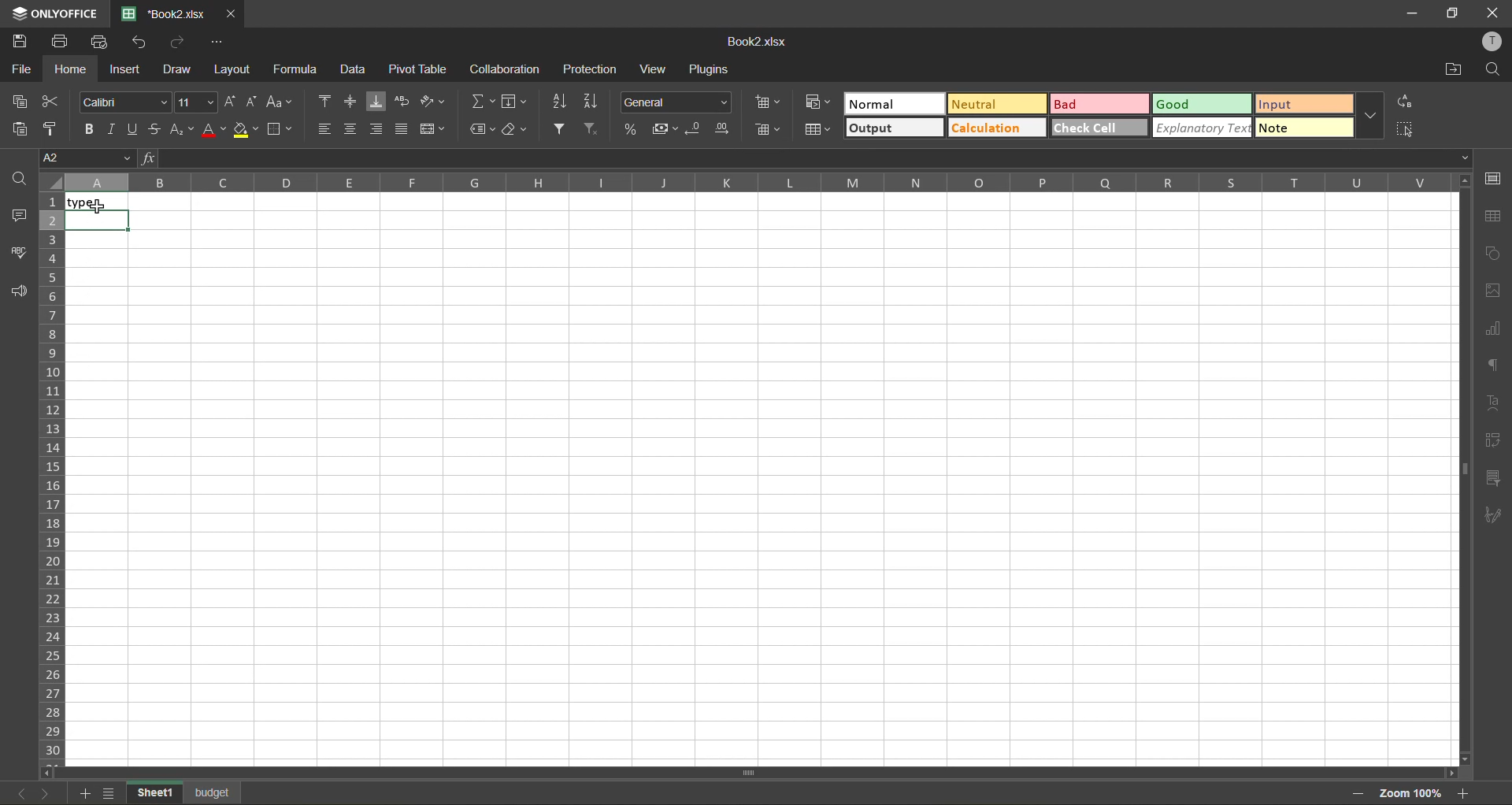  Describe the element at coordinates (1305, 103) in the screenshot. I see `input` at that location.